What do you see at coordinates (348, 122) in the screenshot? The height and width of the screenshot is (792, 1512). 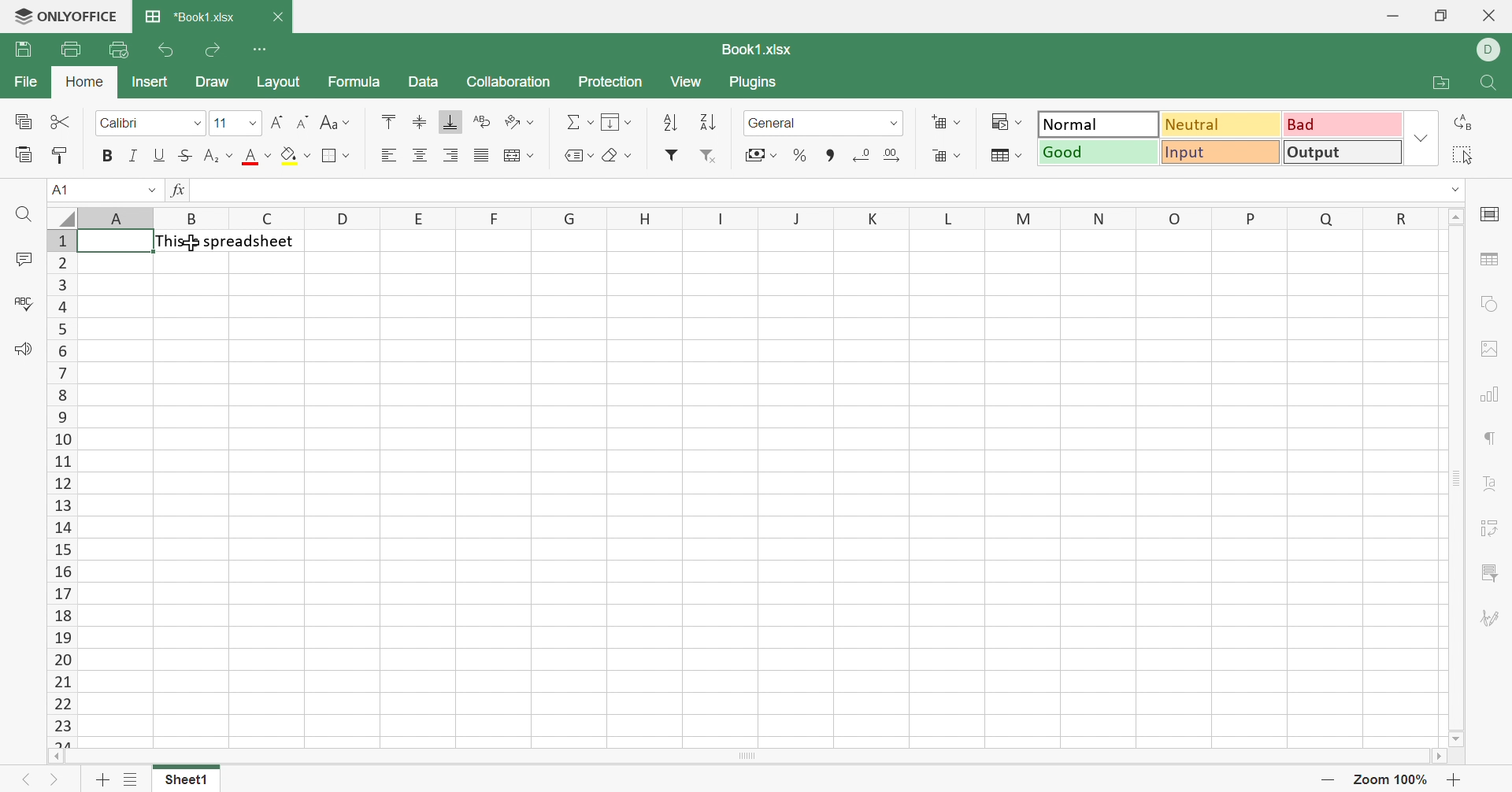 I see `Drop Down` at bounding box center [348, 122].